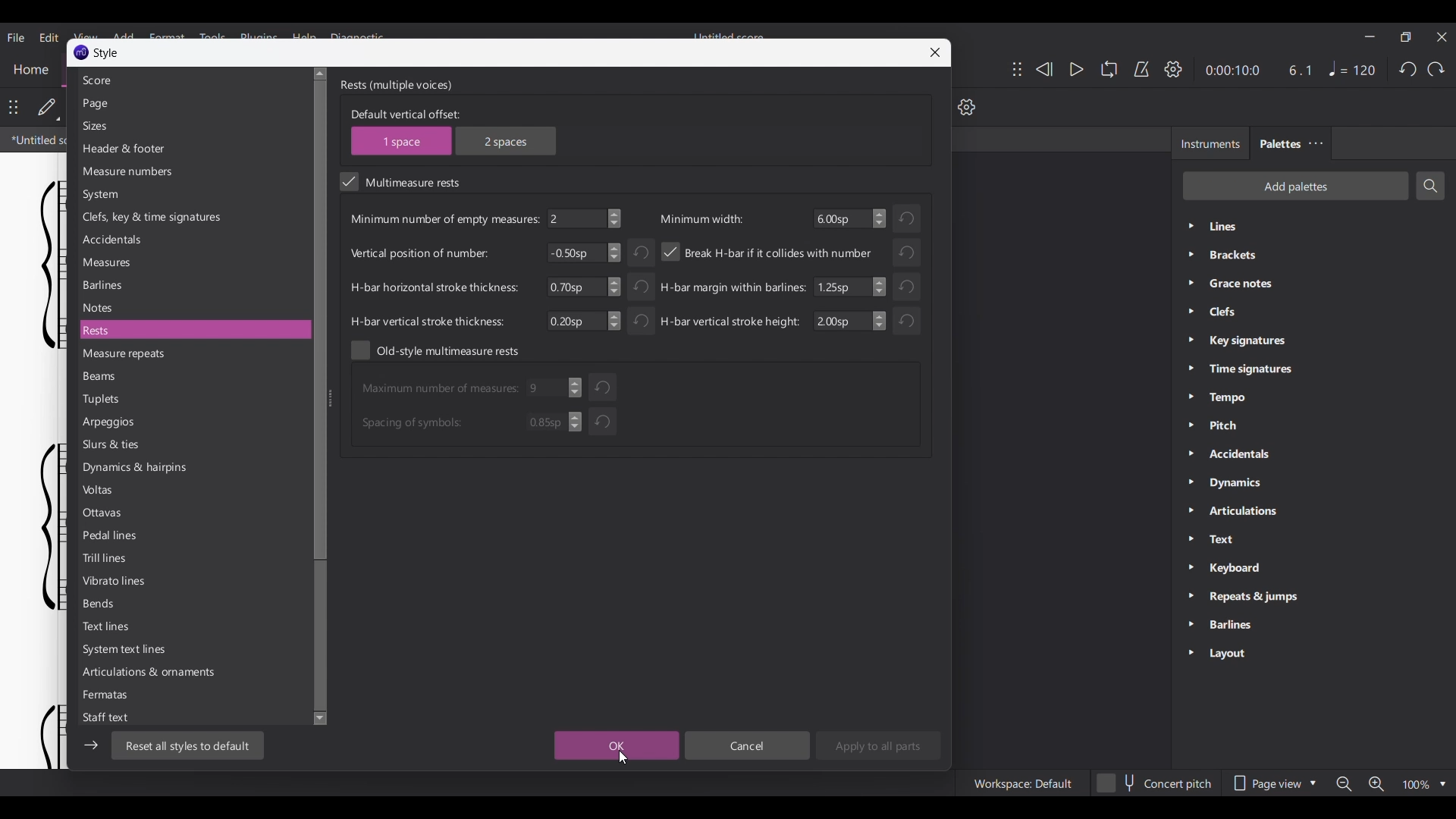 This screenshot has height=819, width=1456. I want to click on Expand/Collapse left sidebar, so click(90, 745).